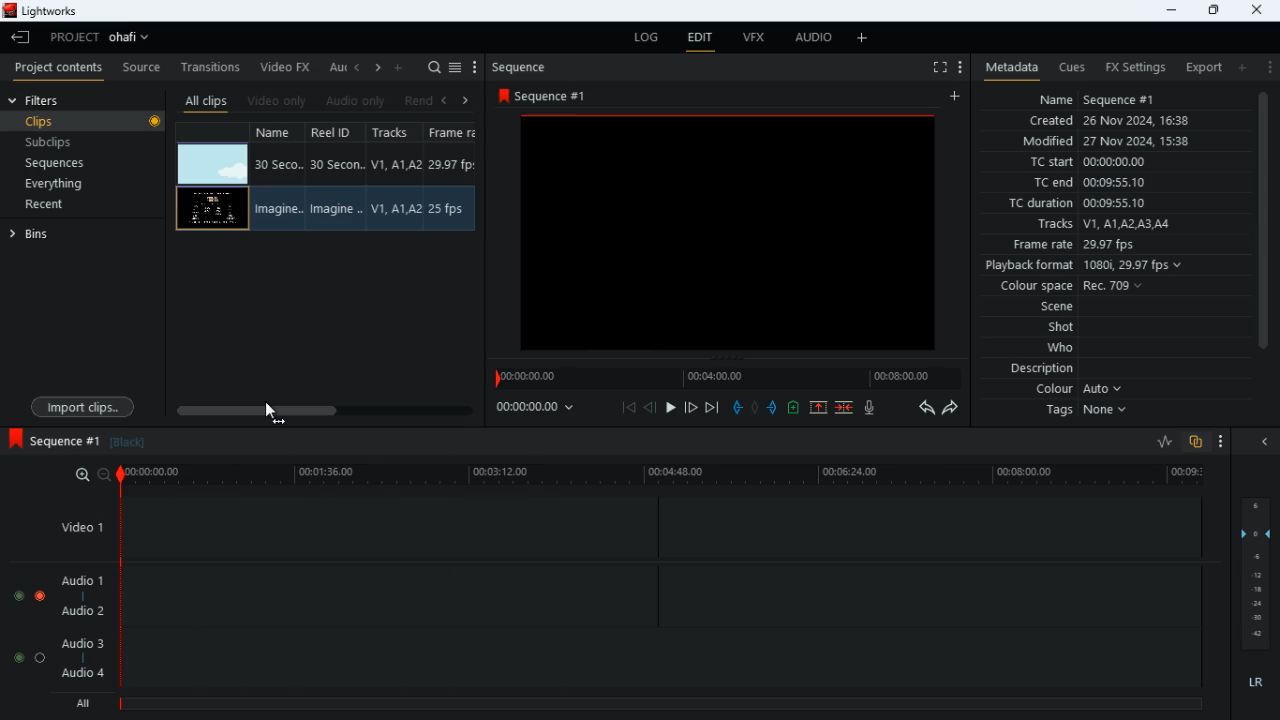 The image size is (1280, 720). Describe the element at coordinates (31, 596) in the screenshot. I see `audio selection buttons` at that location.